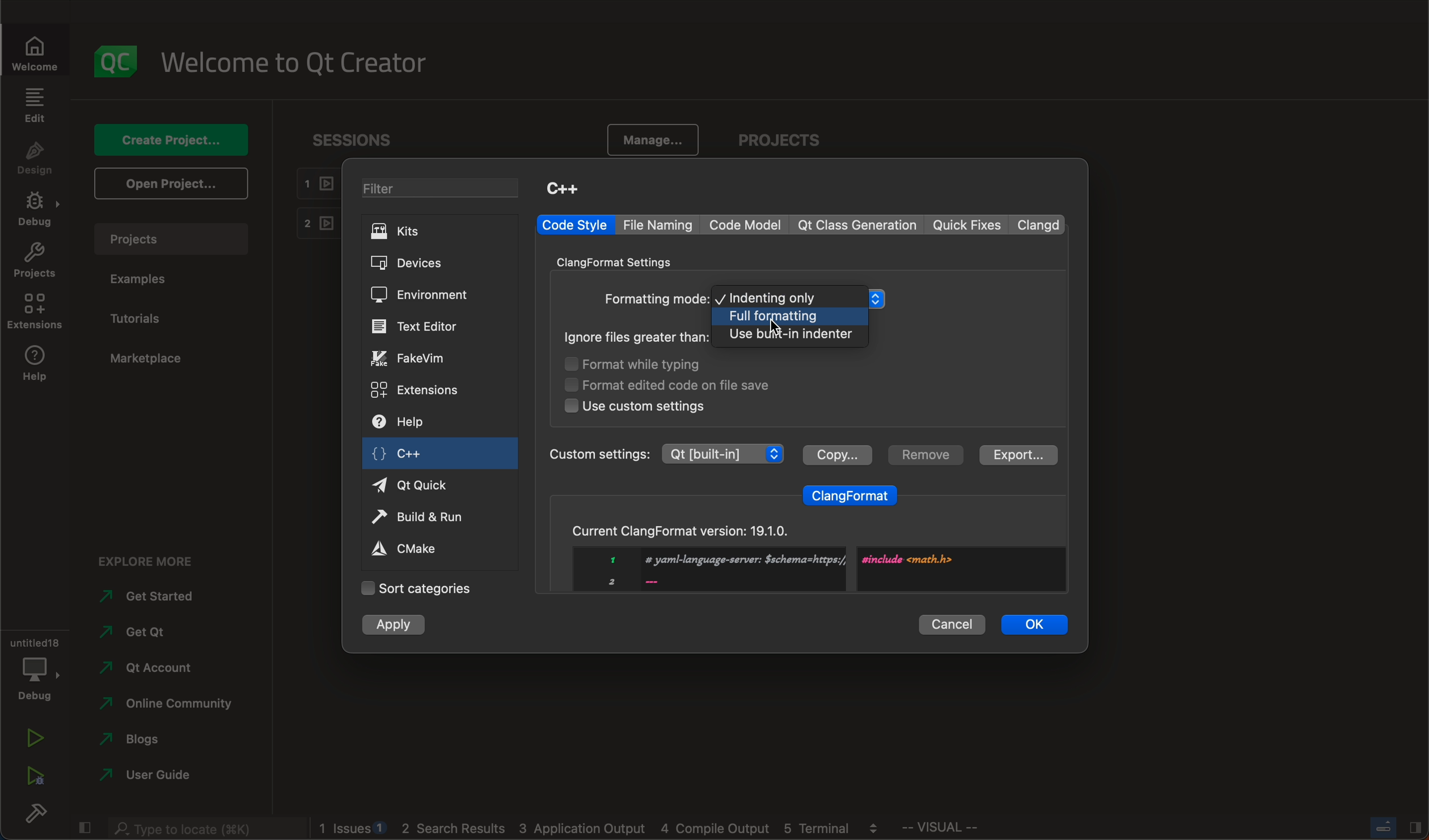 The height and width of the screenshot is (840, 1429). Describe the element at coordinates (969, 226) in the screenshot. I see `fixes` at that location.